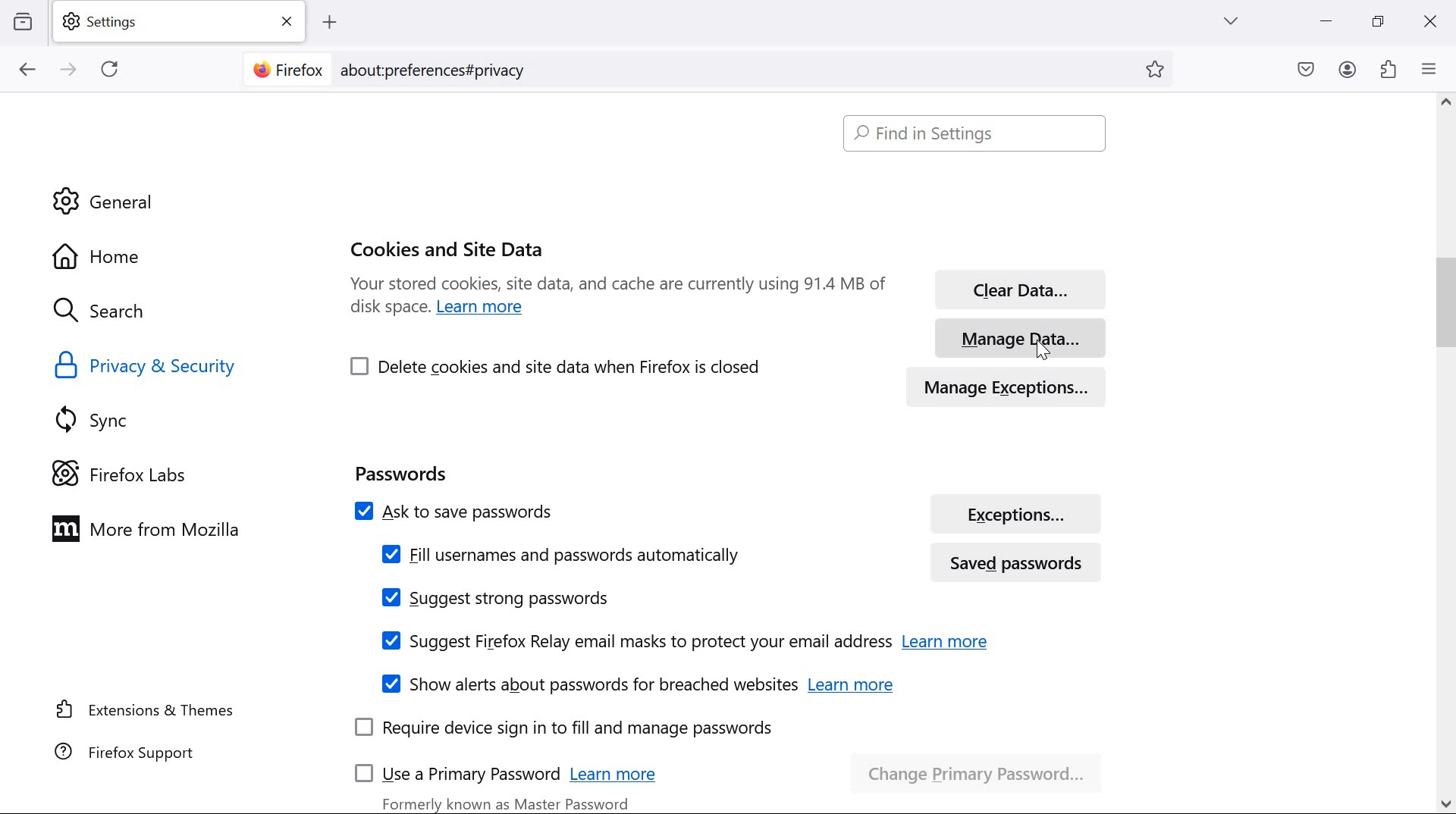 This screenshot has height=814, width=1456. What do you see at coordinates (329, 23) in the screenshot?
I see `add tab` at bounding box center [329, 23].